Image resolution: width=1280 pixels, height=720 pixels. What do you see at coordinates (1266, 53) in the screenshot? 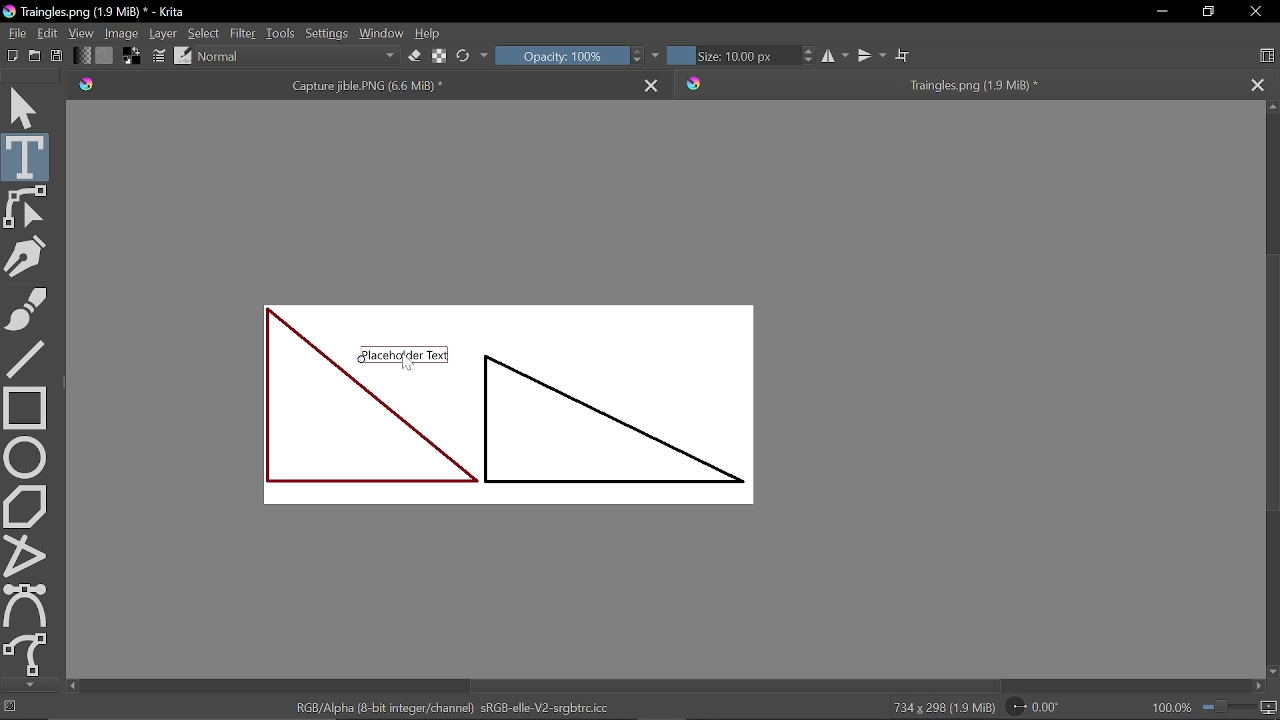
I see `Choose workspace` at bounding box center [1266, 53].